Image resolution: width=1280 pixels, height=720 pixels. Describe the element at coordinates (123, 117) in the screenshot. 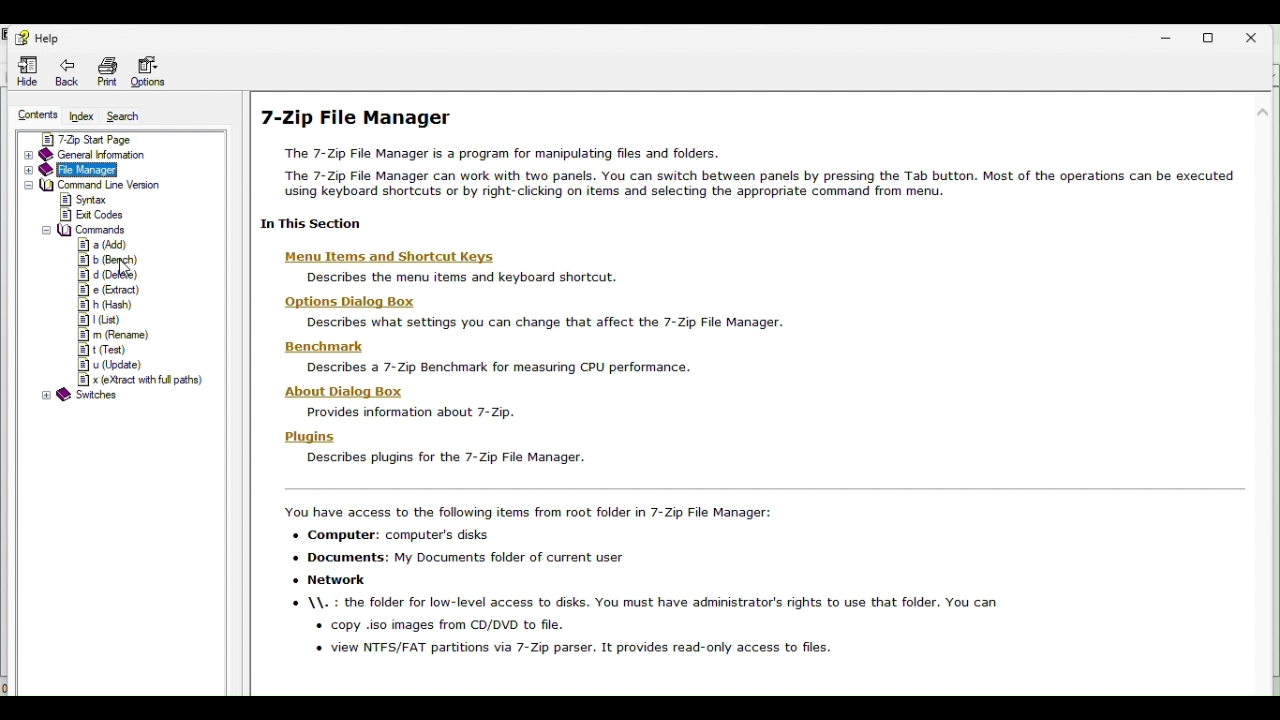

I see `Search` at that location.